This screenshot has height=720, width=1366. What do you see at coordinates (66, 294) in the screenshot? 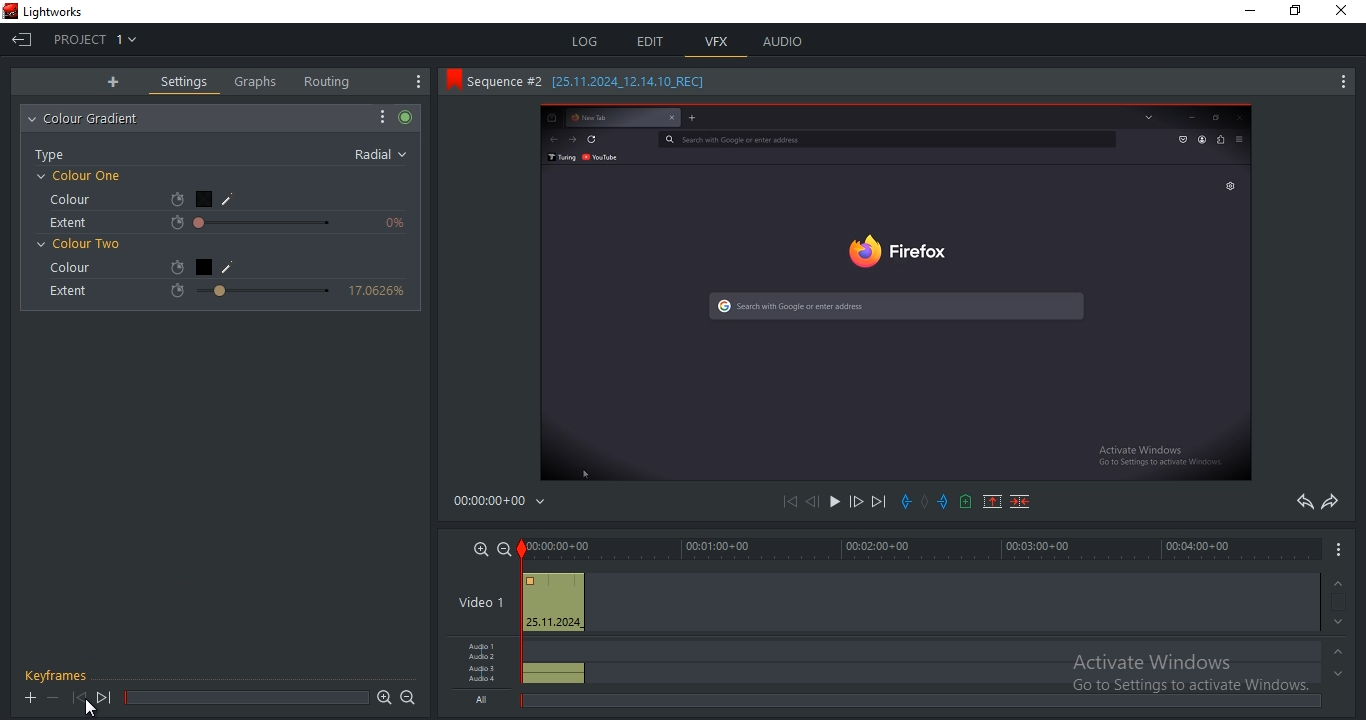
I see `extent` at bounding box center [66, 294].